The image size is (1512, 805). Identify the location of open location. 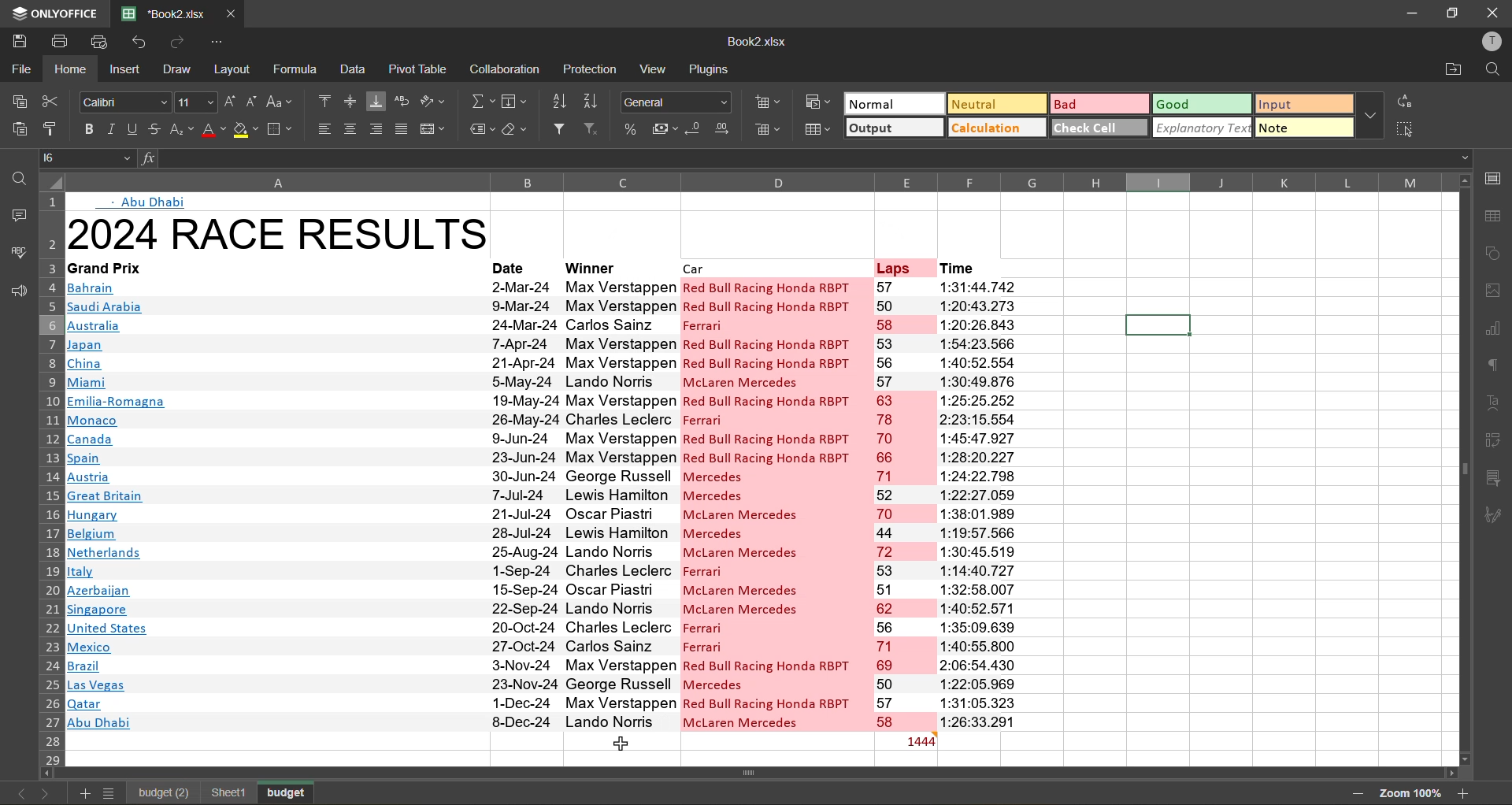
(1454, 71).